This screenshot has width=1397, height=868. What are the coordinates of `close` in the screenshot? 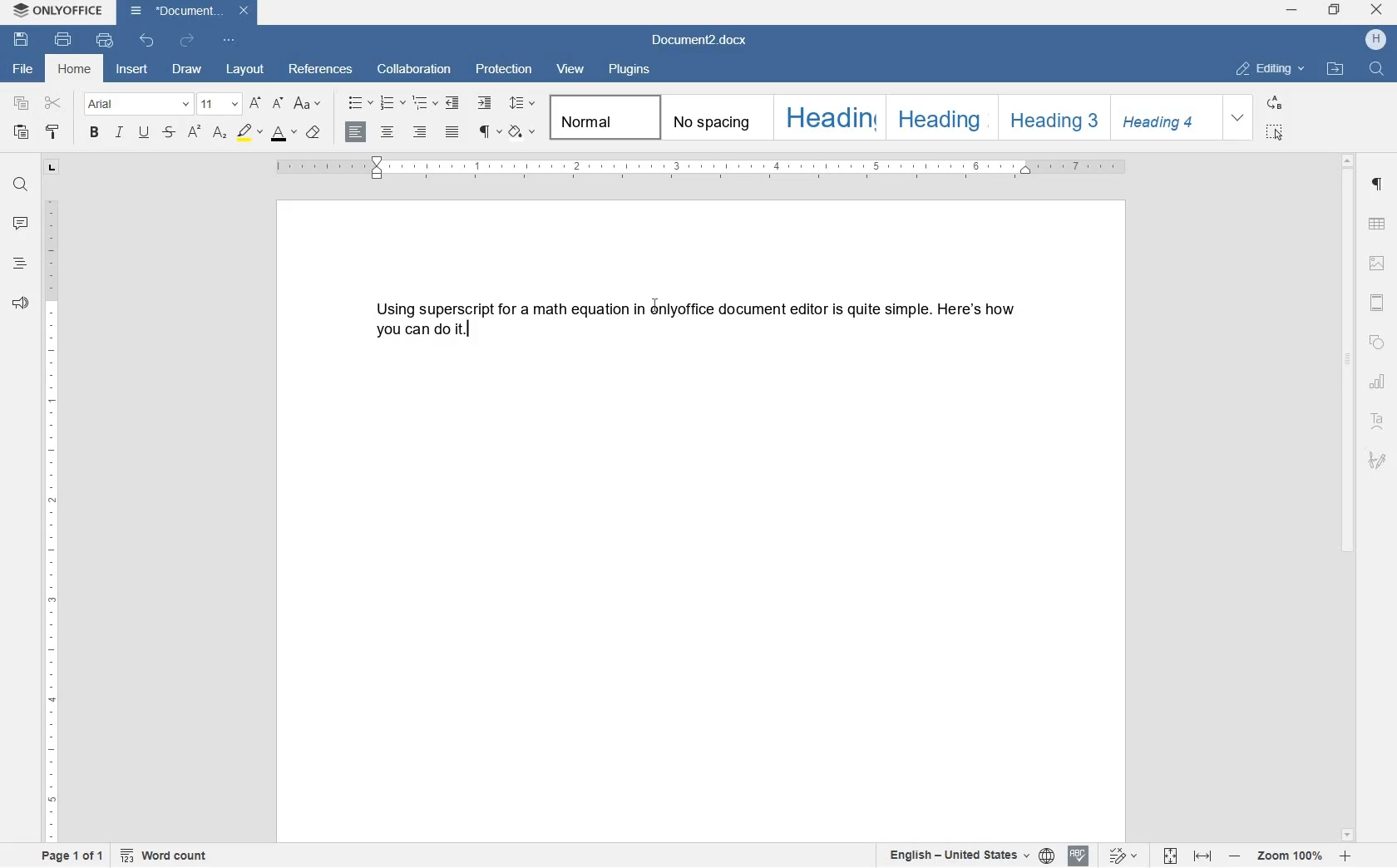 It's located at (1376, 10).